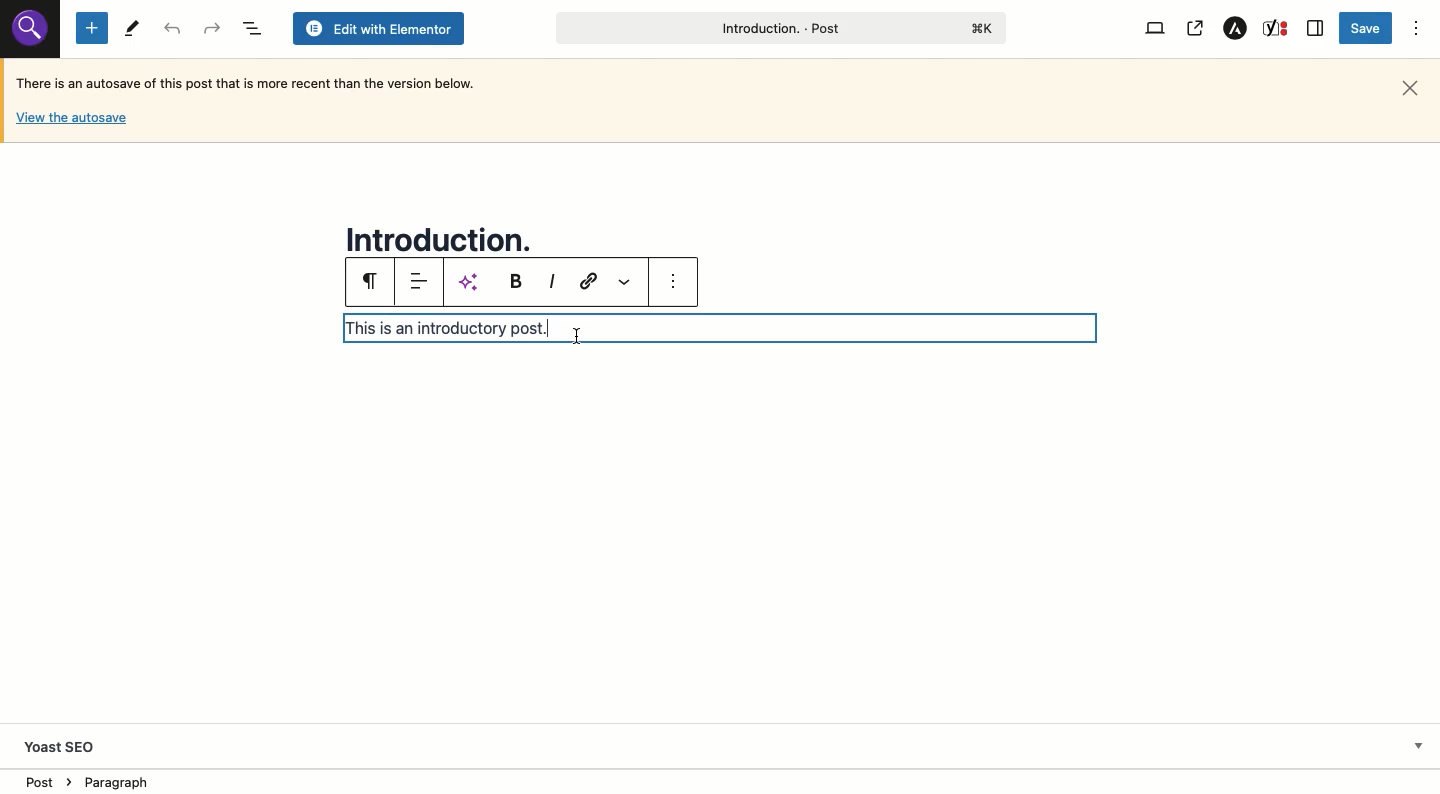 Image resolution: width=1440 pixels, height=794 pixels. I want to click on Save, so click(1368, 28).